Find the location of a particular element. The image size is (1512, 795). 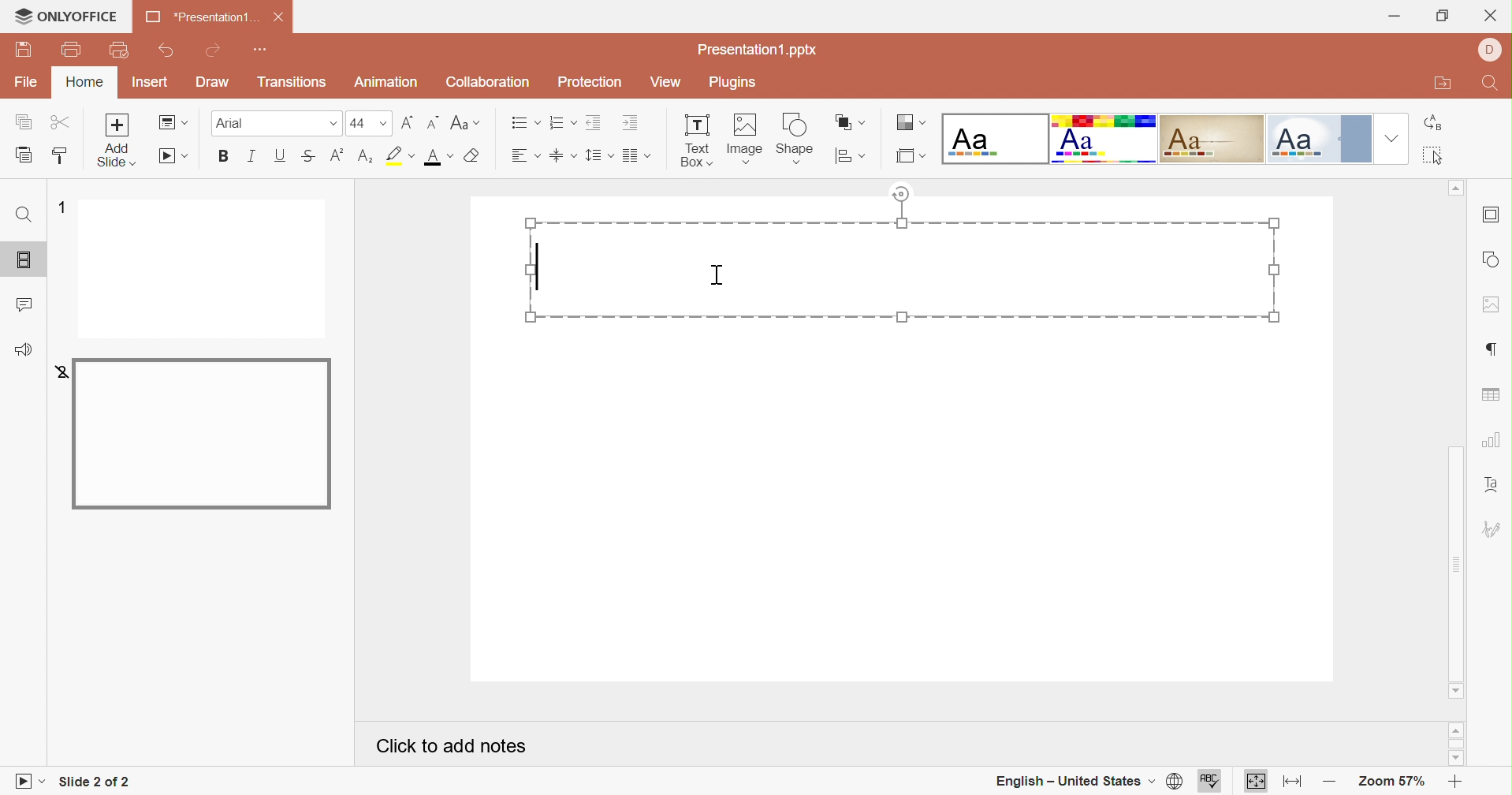

Collaboration is located at coordinates (487, 80).